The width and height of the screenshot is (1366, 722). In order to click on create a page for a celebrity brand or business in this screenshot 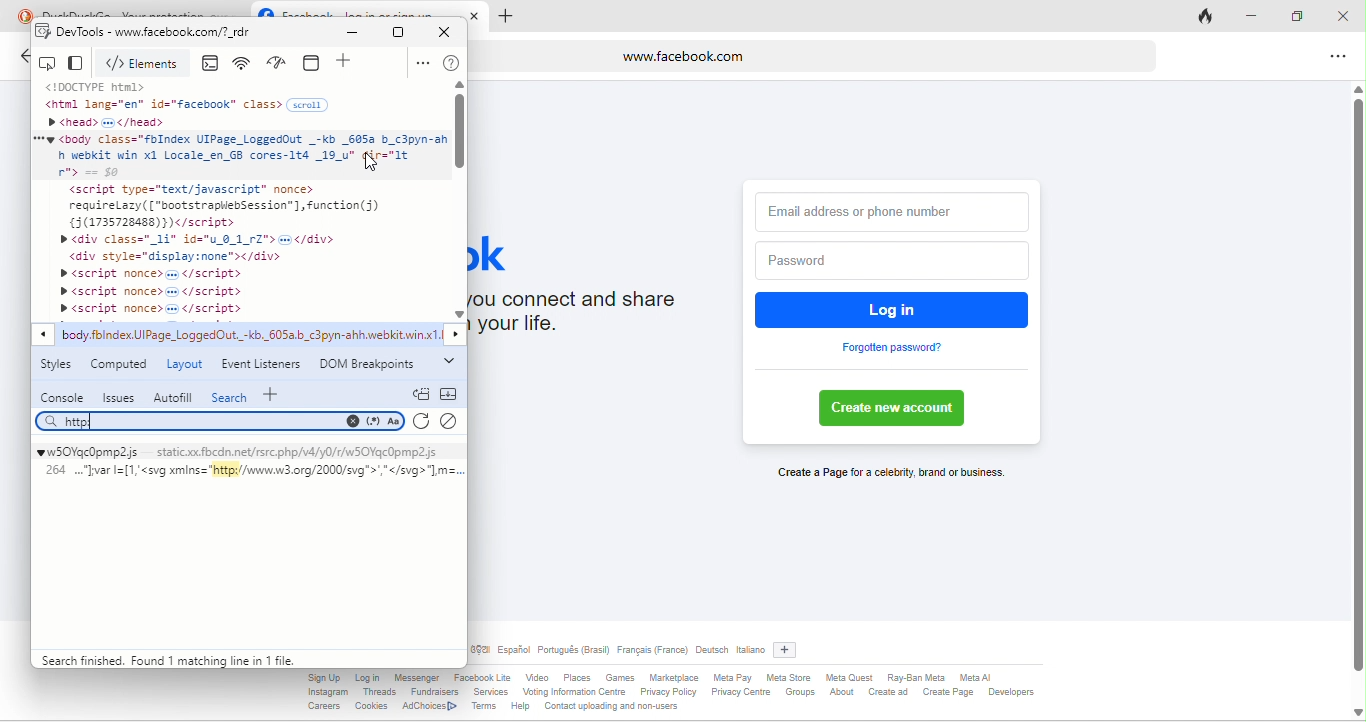, I will do `click(887, 474)`.